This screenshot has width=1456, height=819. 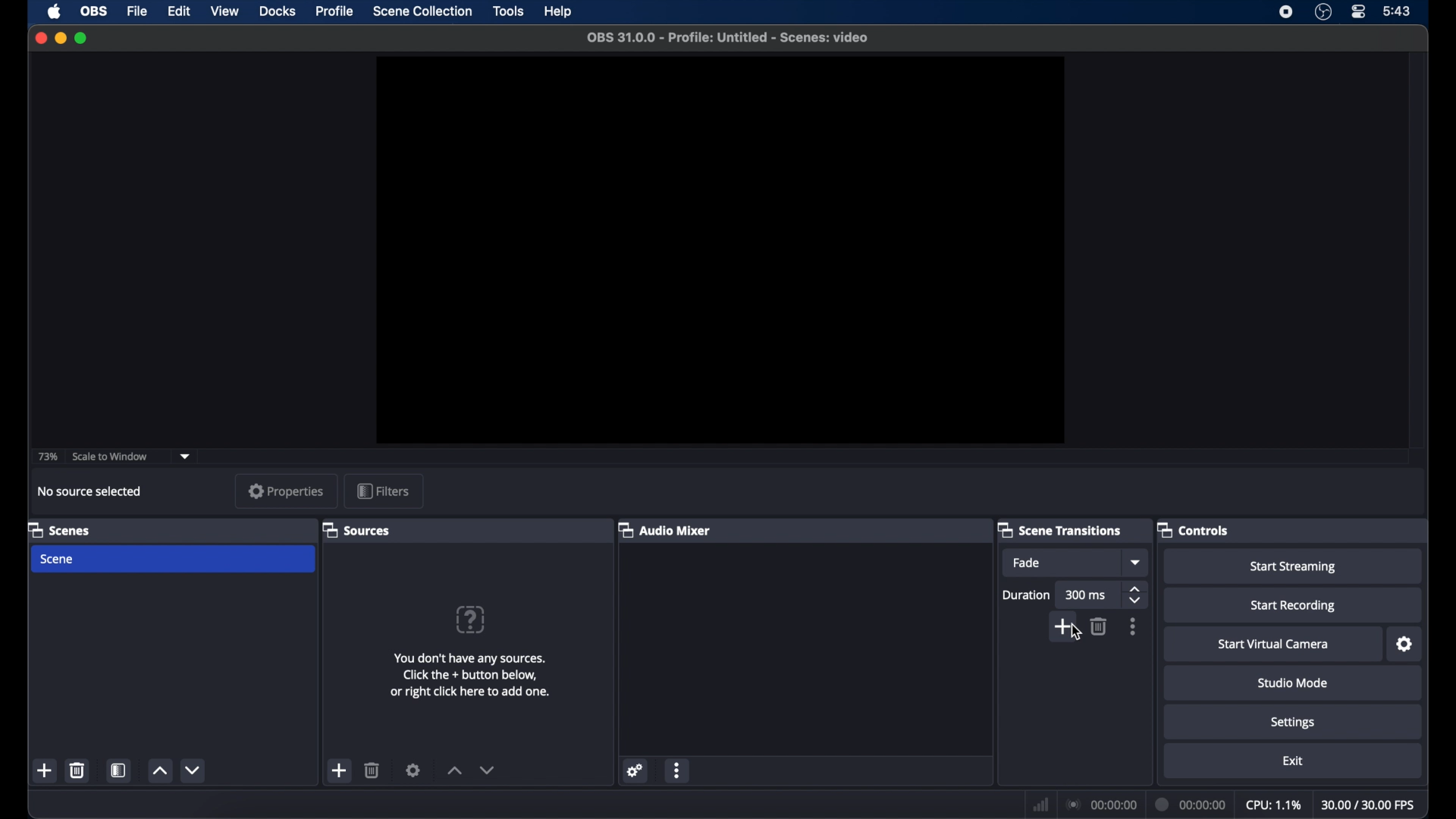 I want to click on start recording, so click(x=1296, y=605).